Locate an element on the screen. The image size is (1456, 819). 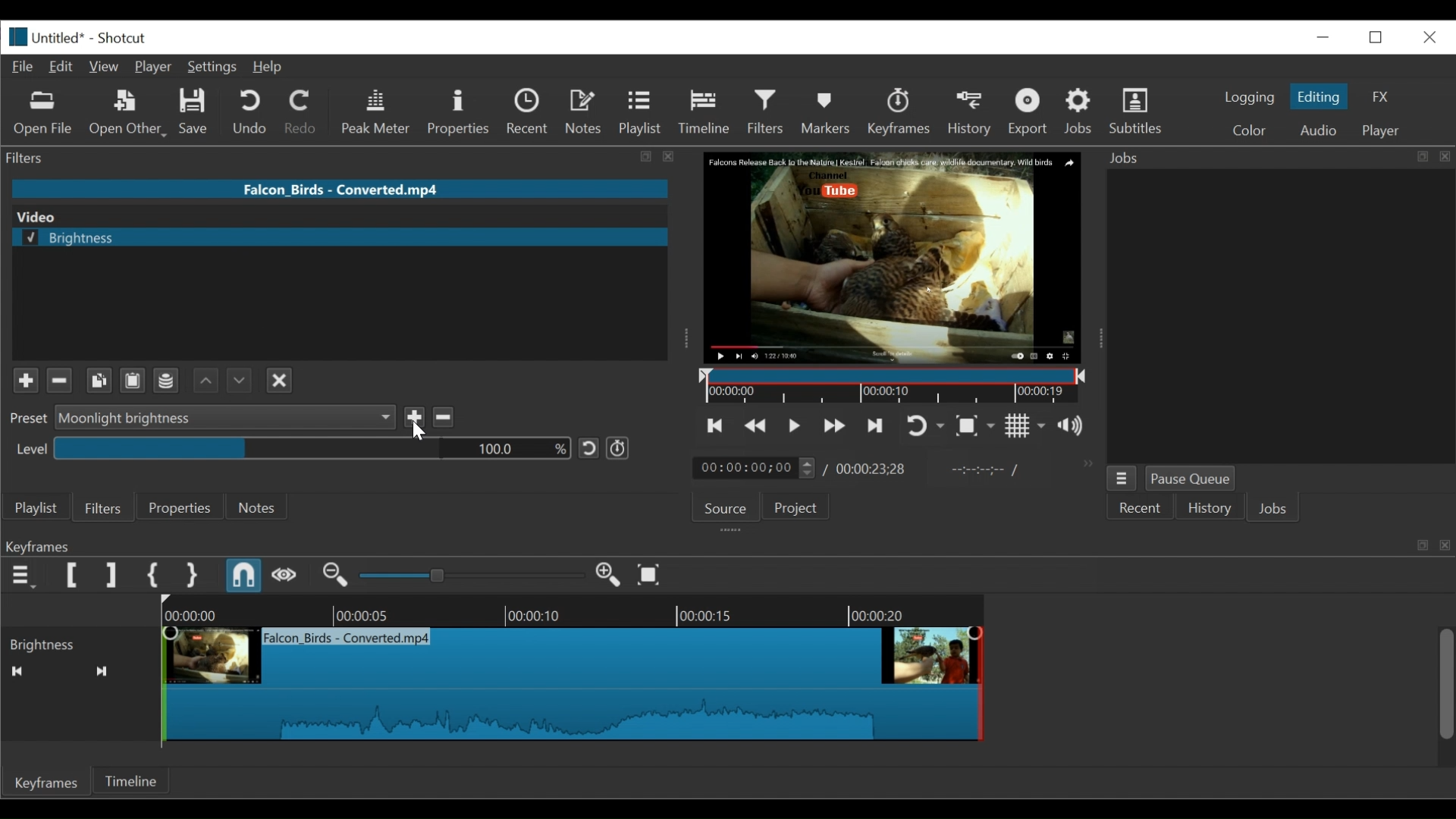
Use keyframe for this parameter is located at coordinates (617, 447).